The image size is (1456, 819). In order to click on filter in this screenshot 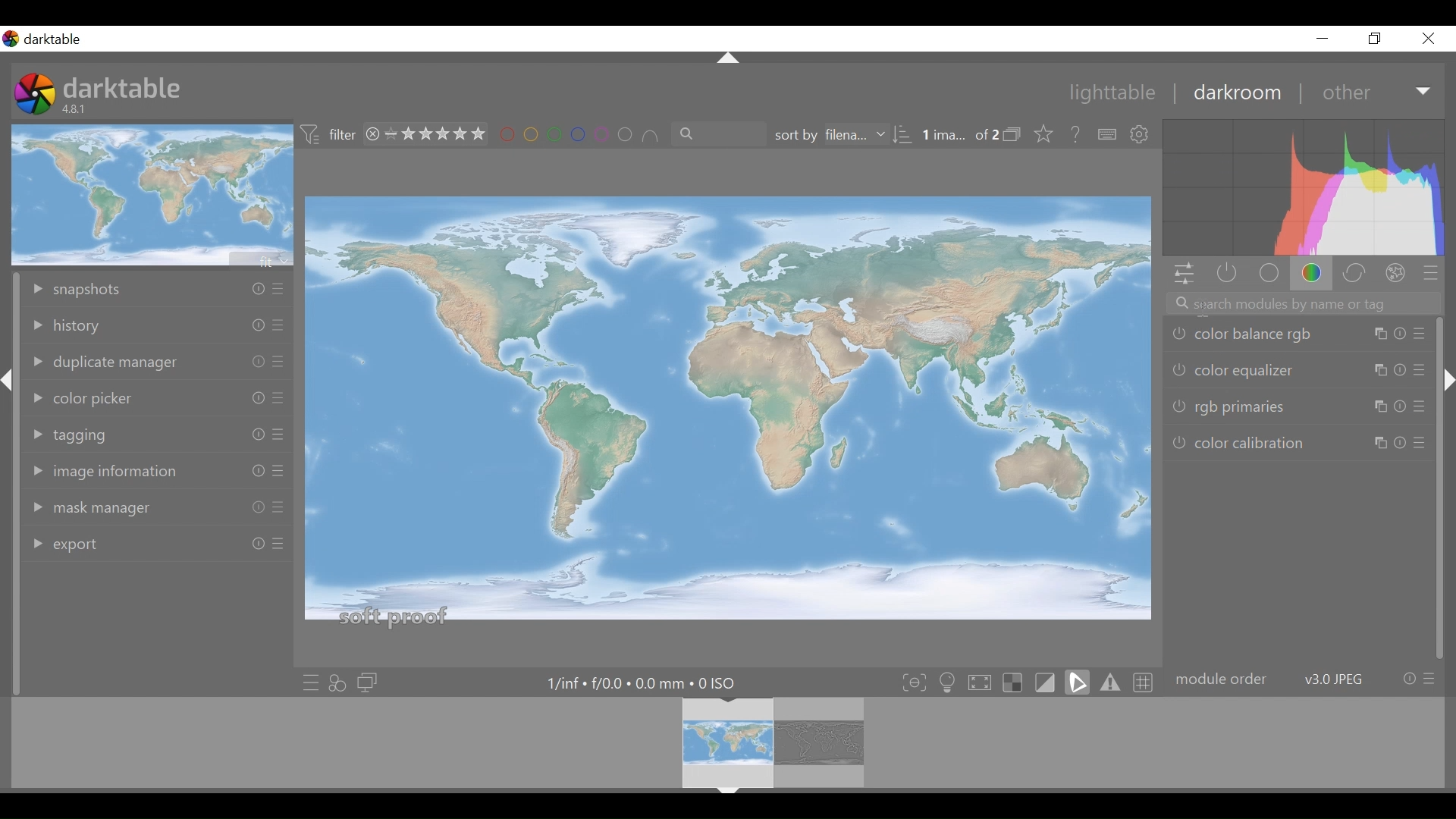, I will do `click(342, 133)`.